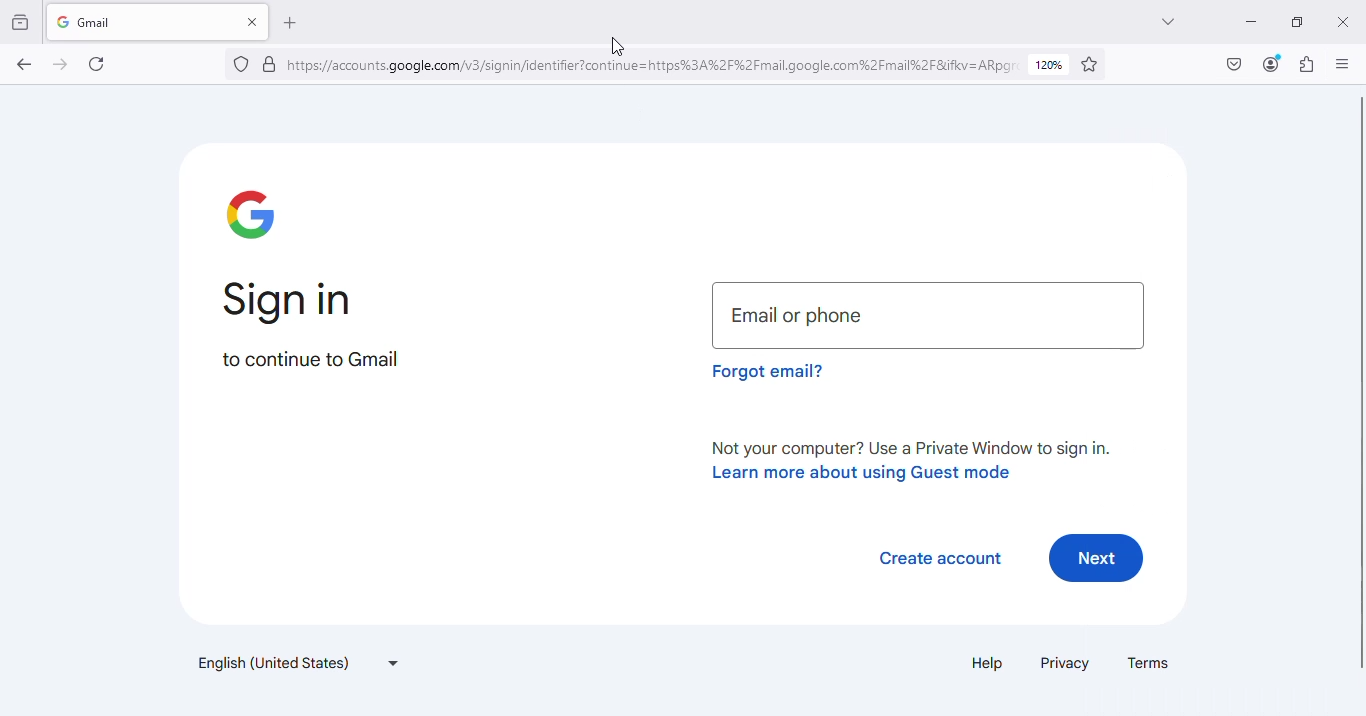  Describe the element at coordinates (1356, 381) in the screenshot. I see `vertical scroll bar` at that location.